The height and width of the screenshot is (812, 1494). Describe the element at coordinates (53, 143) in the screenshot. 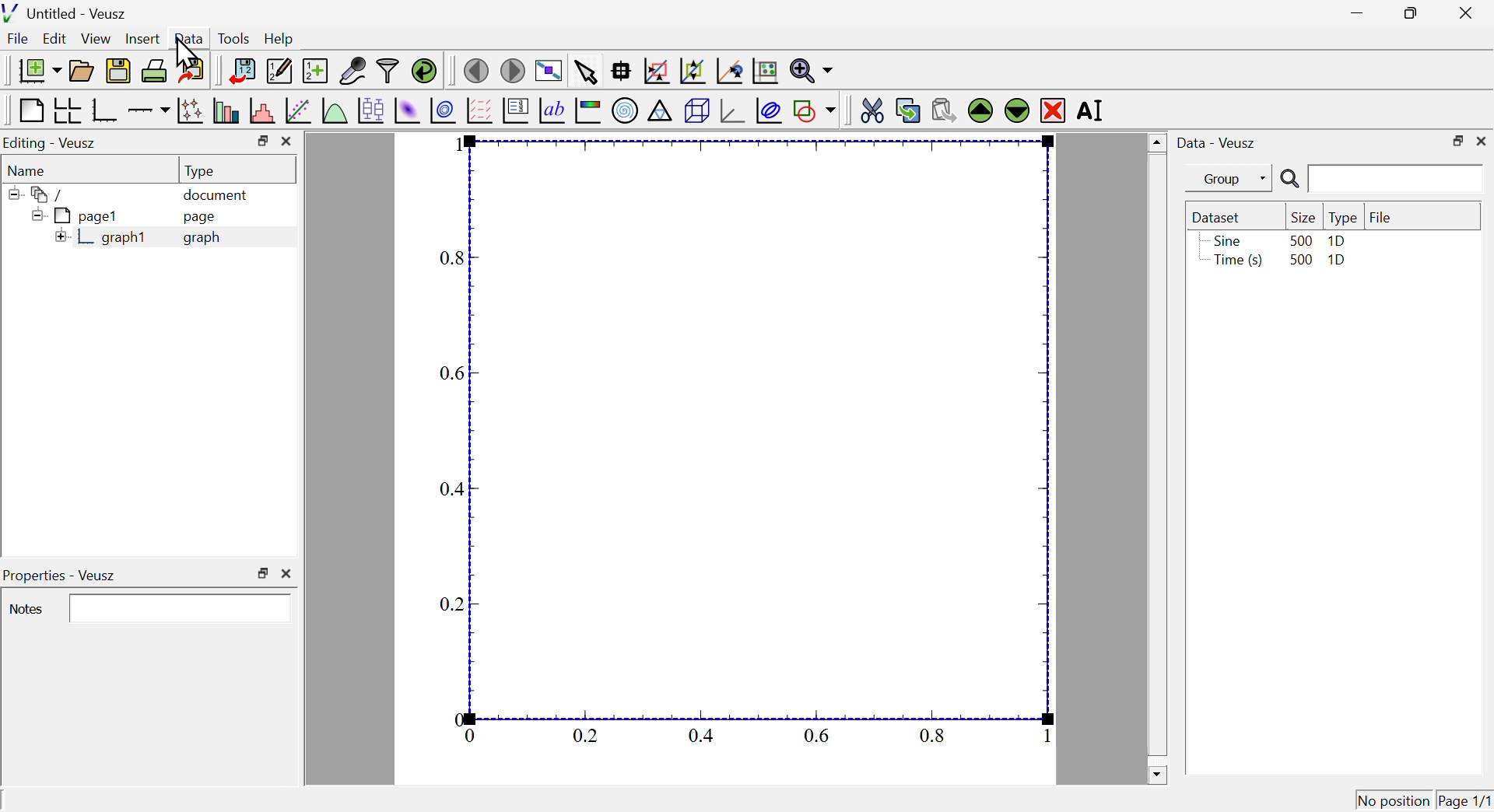

I see `Editing Veusz` at that location.